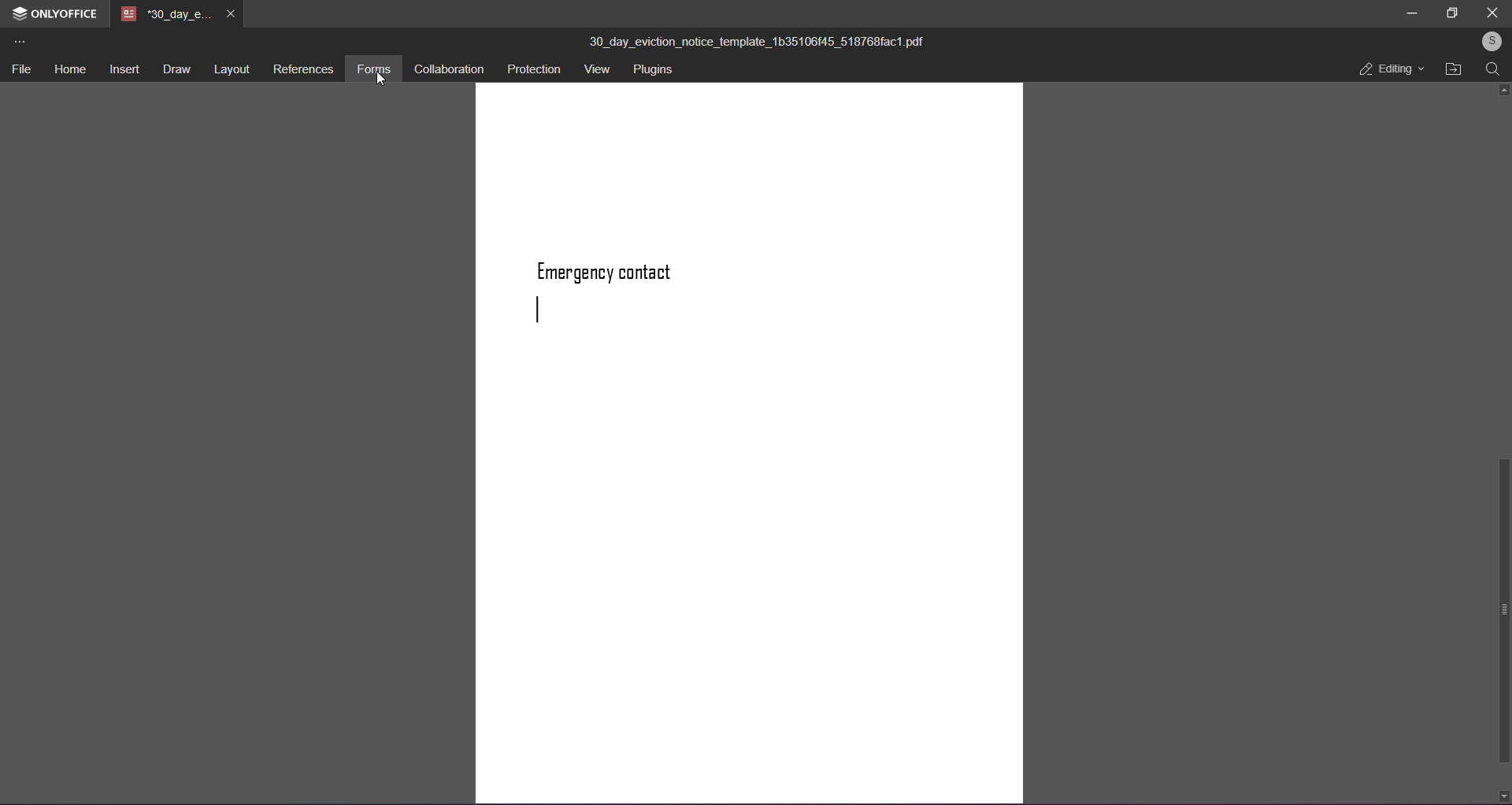 This screenshot has height=805, width=1512. What do you see at coordinates (1503, 794) in the screenshot?
I see `down` at bounding box center [1503, 794].